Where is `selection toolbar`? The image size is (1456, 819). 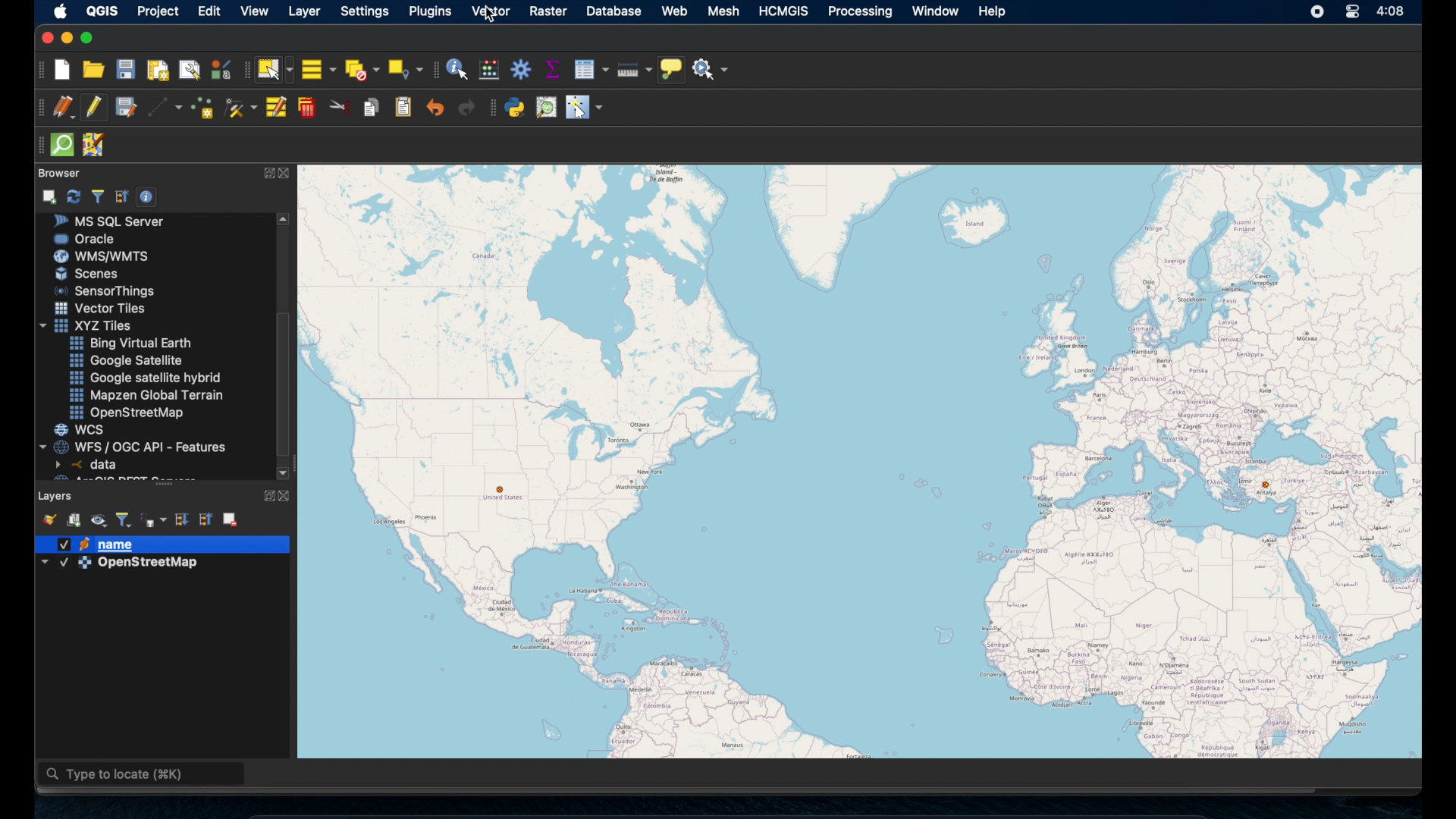 selection toolbar is located at coordinates (243, 72).